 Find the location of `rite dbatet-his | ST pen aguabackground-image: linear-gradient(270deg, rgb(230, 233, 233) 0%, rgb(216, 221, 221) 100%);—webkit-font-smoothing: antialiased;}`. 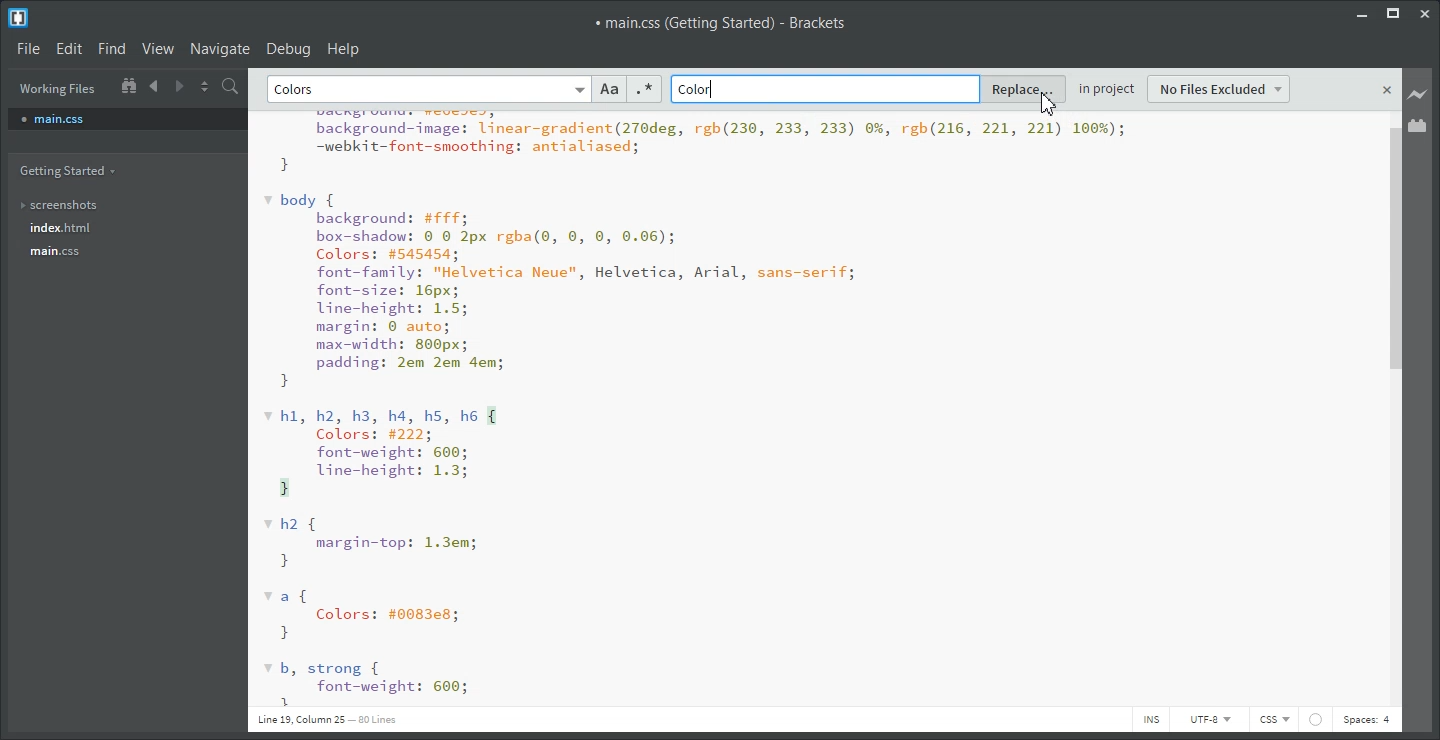

rite dbatet-his | ST pen aguabackground-image: linear-gradient(270deg, rgb(230, 233, 233) 0%, rgb(216, 221, 221) 100%);—webkit-font-smoothing: antialiased;} is located at coordinates (694, 143).